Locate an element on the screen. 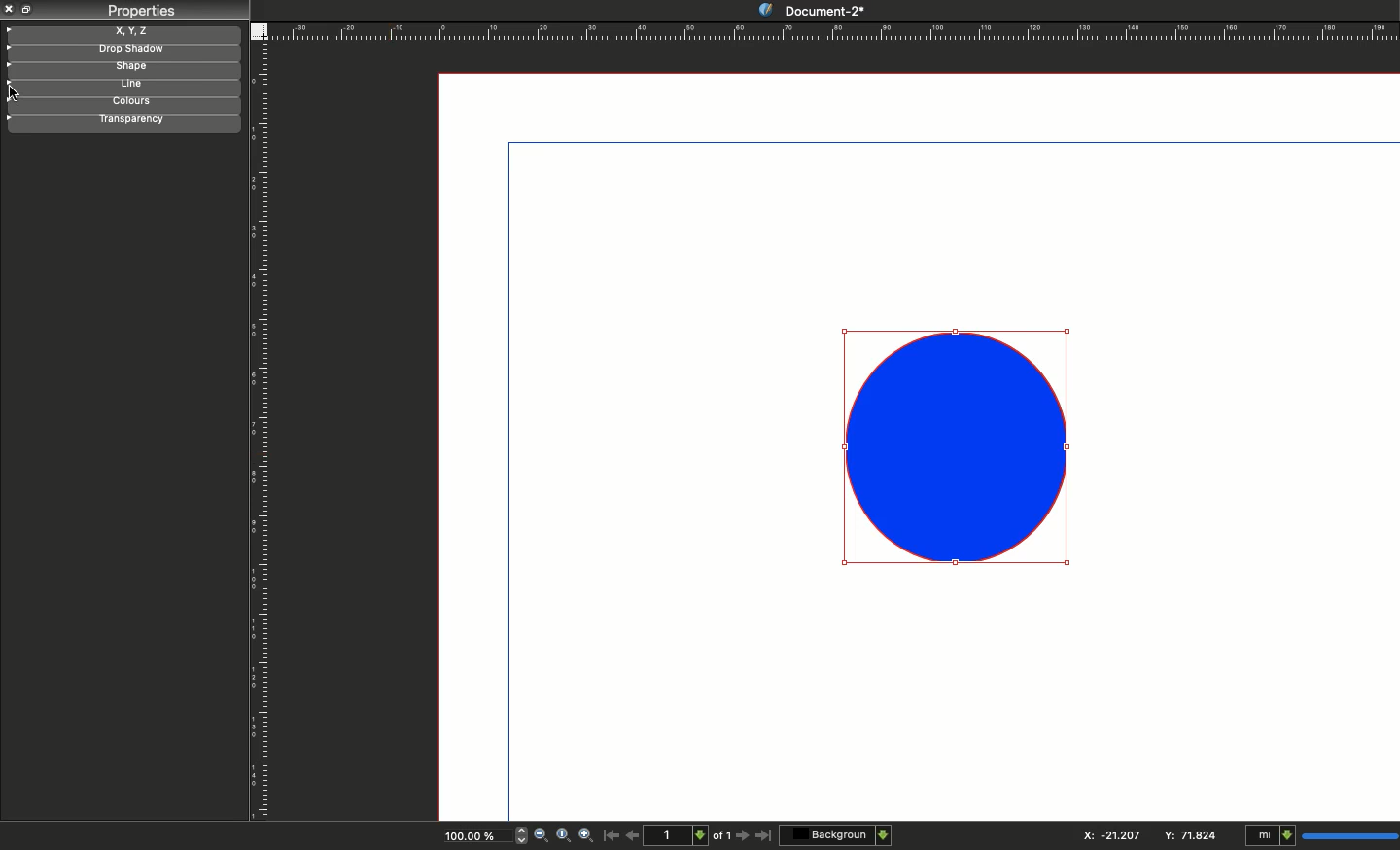 This screenshot has width=1400, height=850. Close is located at coordinates (10, 9).